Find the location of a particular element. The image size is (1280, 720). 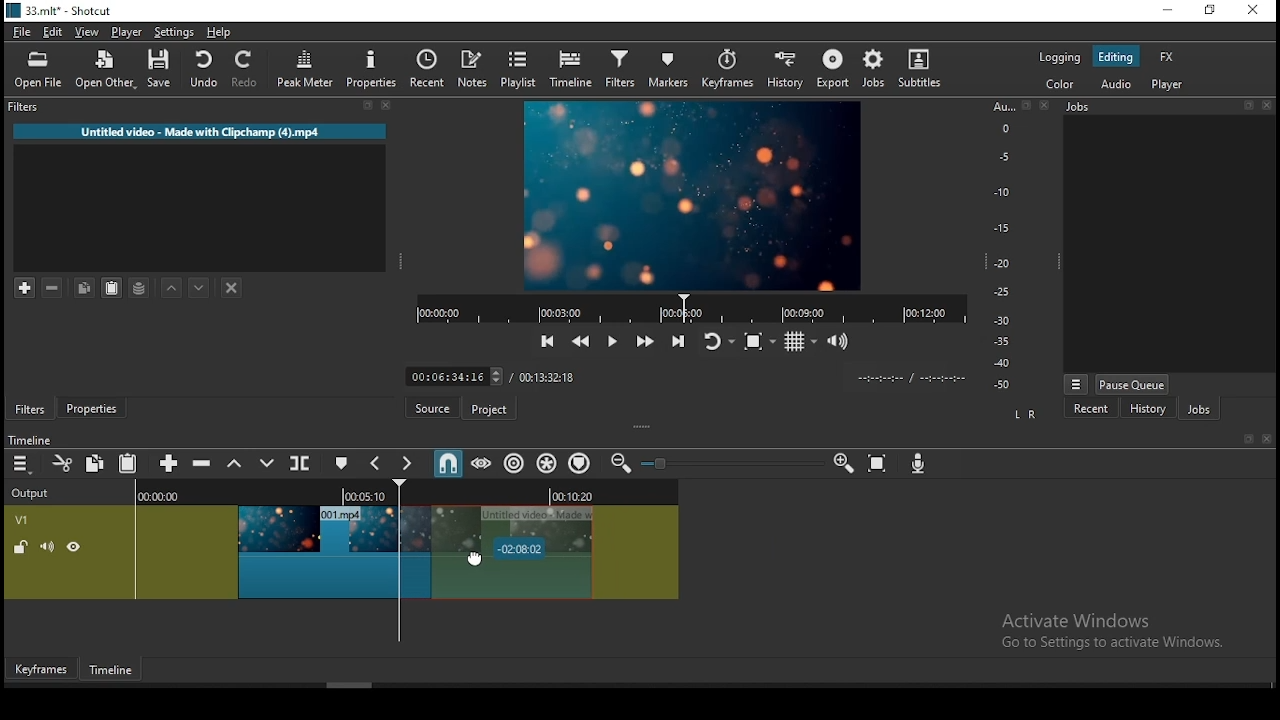

zoom timeline out is located at coordinates (618, 464).